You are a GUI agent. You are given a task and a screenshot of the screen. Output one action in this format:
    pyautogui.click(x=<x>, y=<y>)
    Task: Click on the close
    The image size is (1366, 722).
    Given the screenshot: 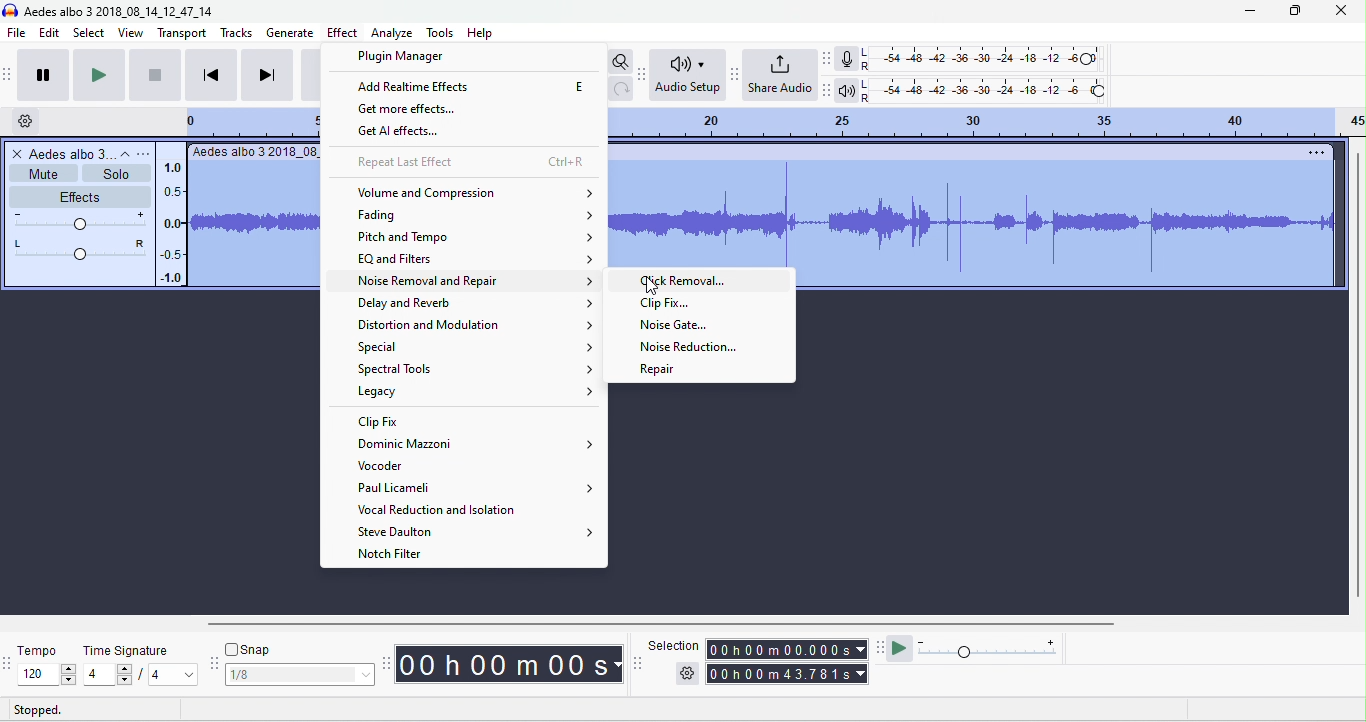 What is the action you would take?
    pyautogui.click(x=1342, y=9)
    